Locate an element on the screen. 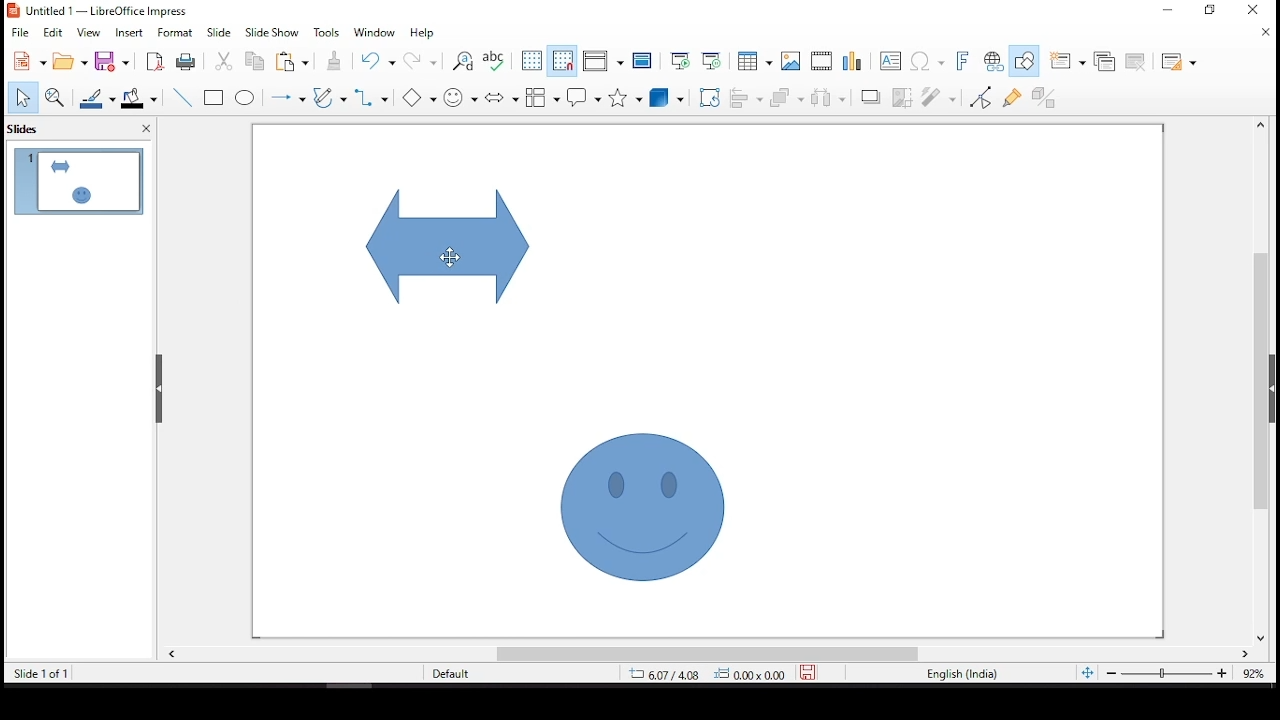 This screenshot has height=720, width=1280. fit slide to current window is located at coordinates (1085, 672).